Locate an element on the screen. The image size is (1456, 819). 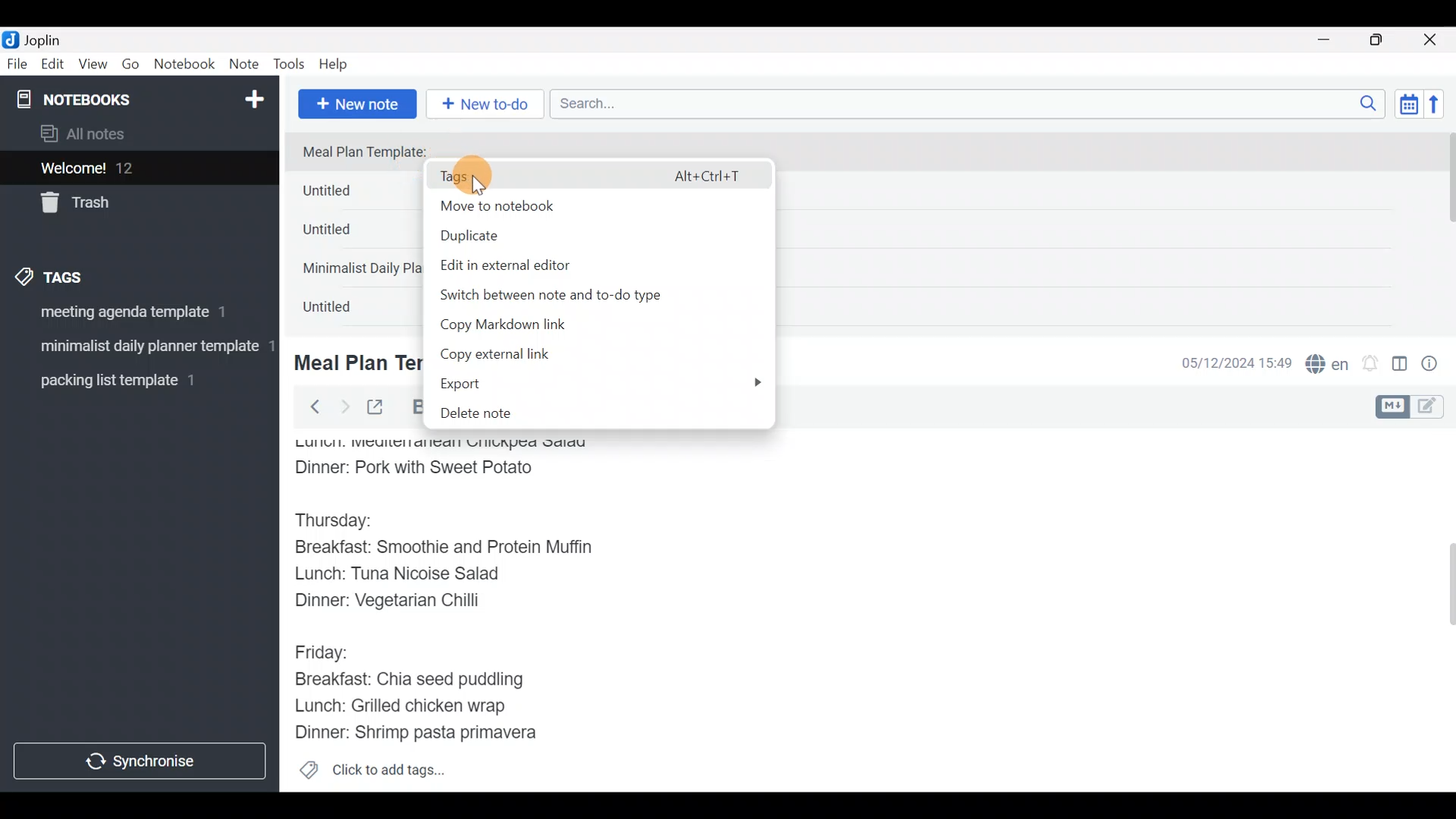
Delete note is located at coordinates (580, 415).